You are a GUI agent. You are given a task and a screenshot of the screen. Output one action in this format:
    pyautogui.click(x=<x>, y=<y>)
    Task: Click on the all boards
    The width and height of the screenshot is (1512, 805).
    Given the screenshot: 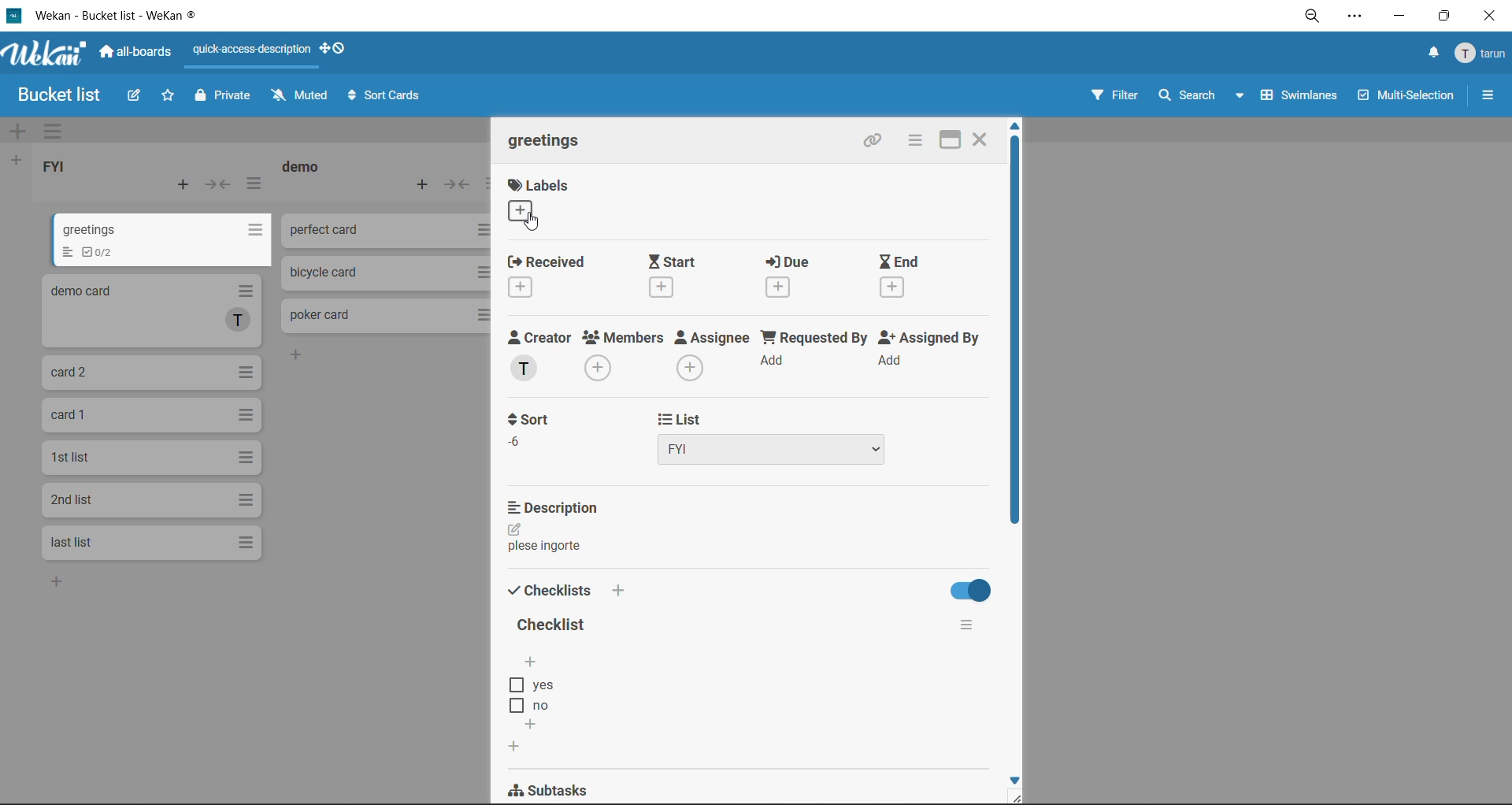 What is the action you would take?
    pyautogui.click(x=136, y=54)
    